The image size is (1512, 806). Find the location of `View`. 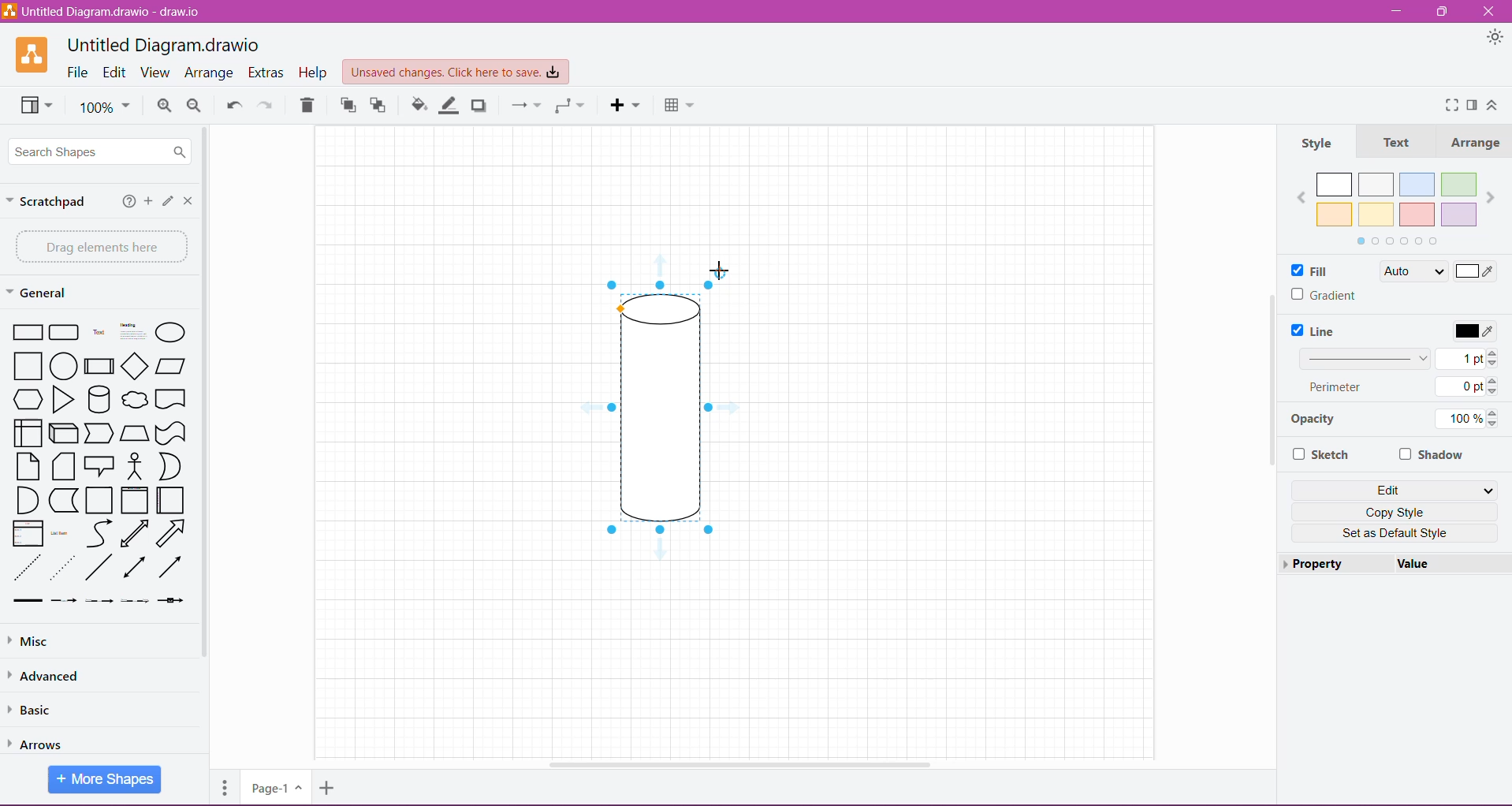

View is located at coordinates (157, 73).